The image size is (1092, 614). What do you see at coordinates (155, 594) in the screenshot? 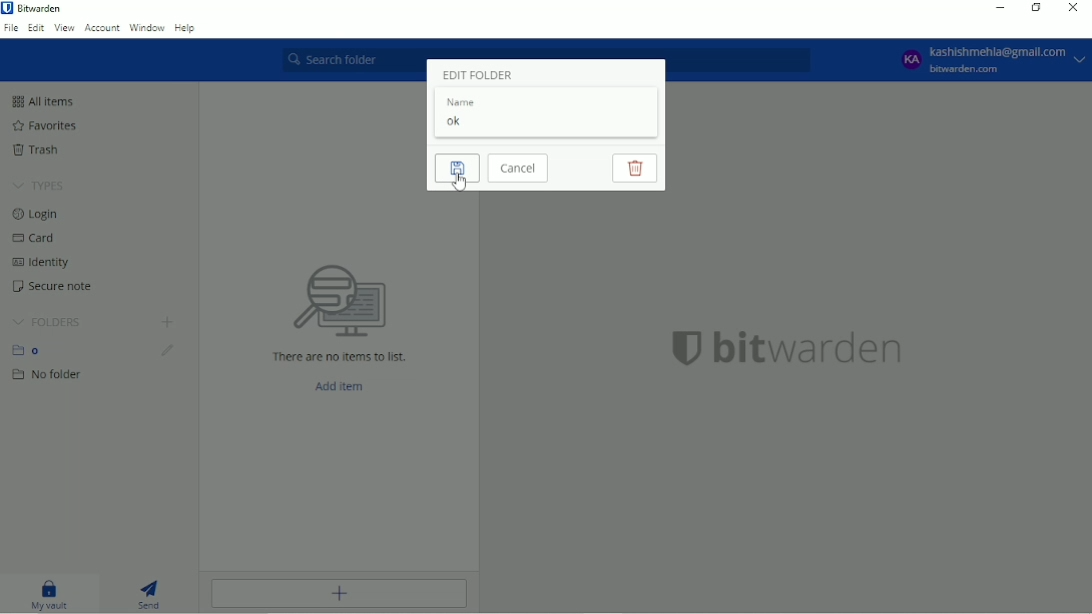
I see `Send` at bounding box center [155, 594].